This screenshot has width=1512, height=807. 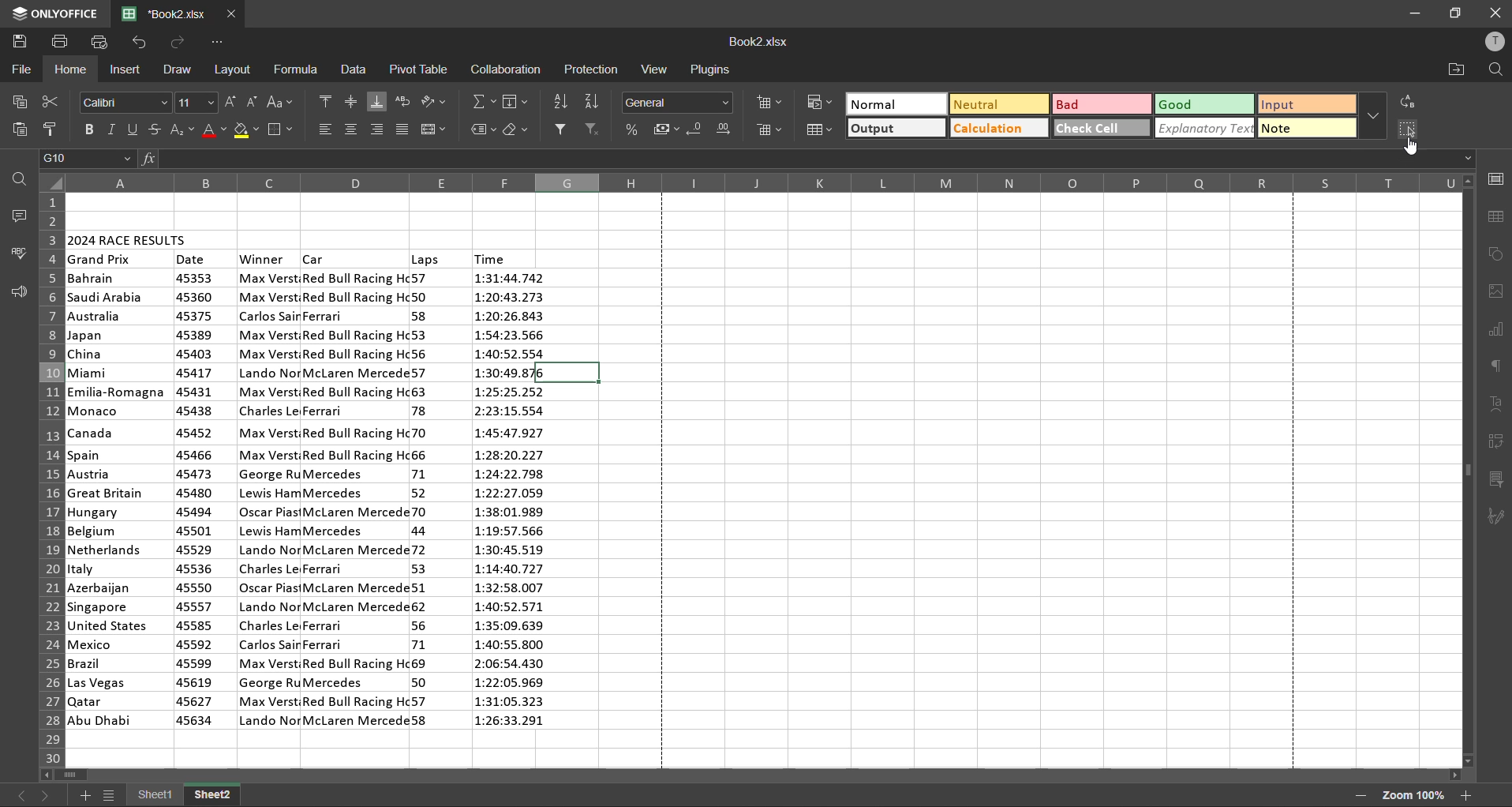 What do you see at coordinates (91, 129) in the screenshot?
I see `bold` at bounding box center [91, 129].